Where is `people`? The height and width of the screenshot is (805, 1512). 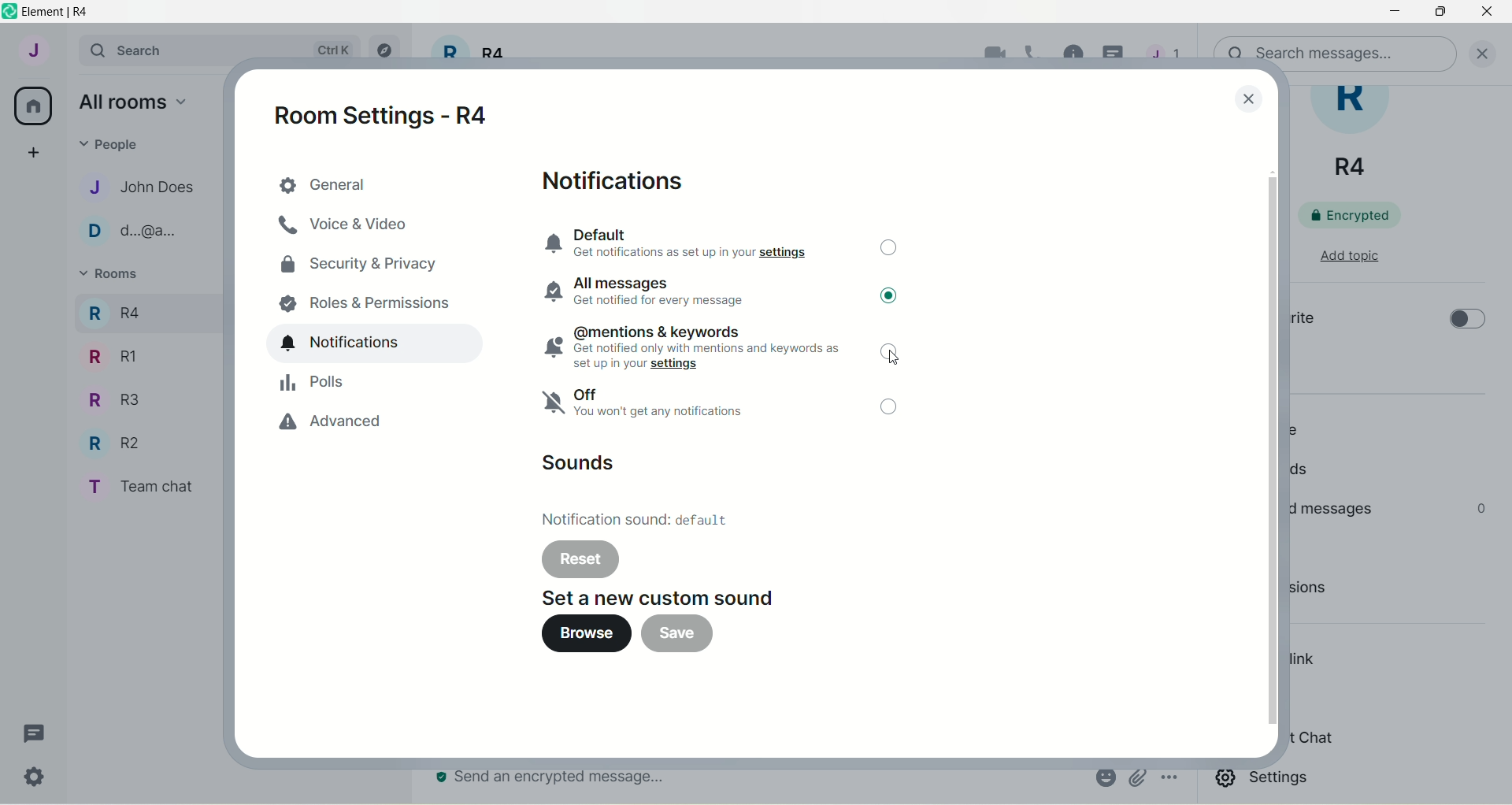 people is located at coordinates (1298, 429).